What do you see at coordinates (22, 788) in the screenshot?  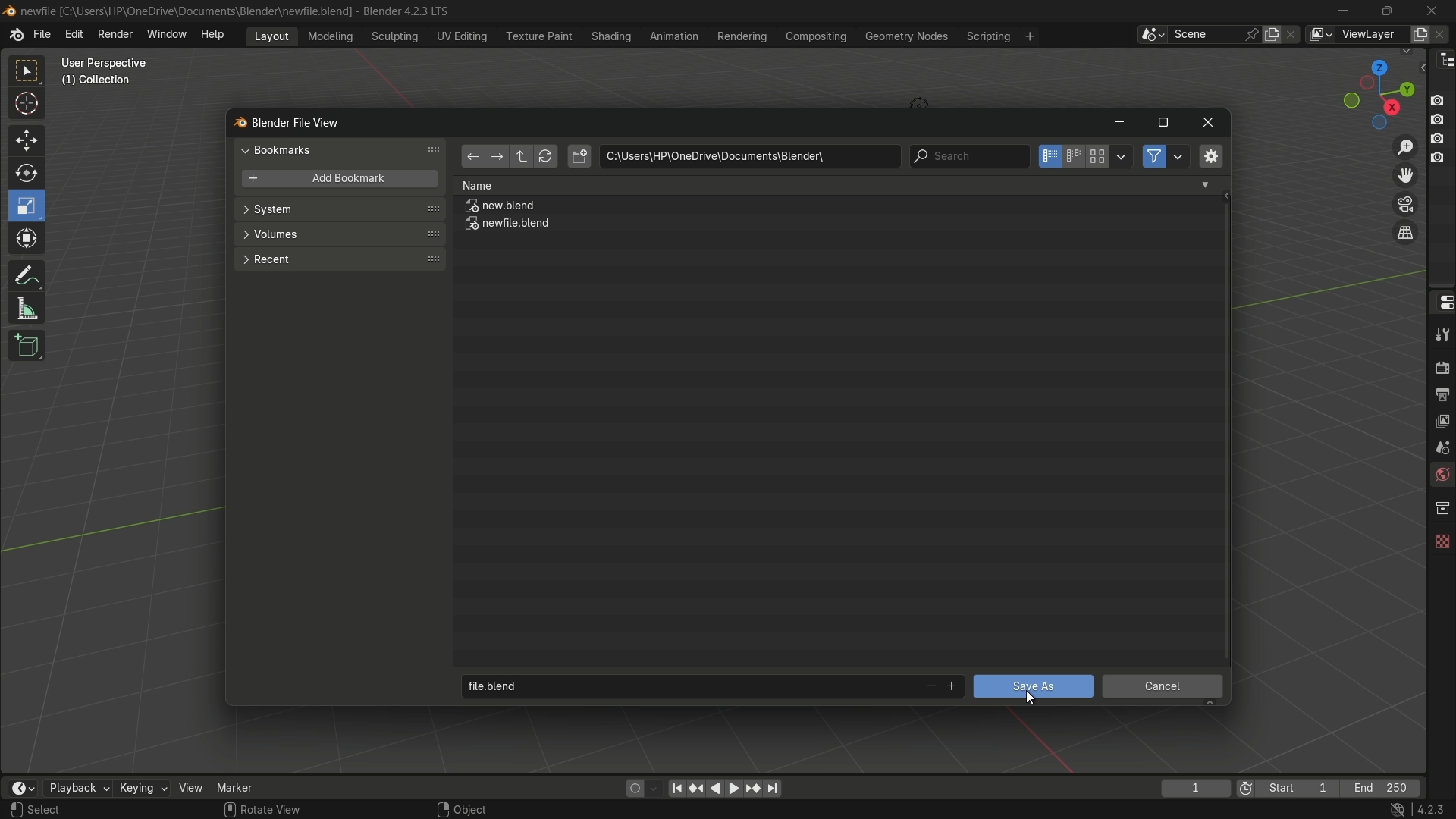 I see `timeline` at bounding box center [22, 788].